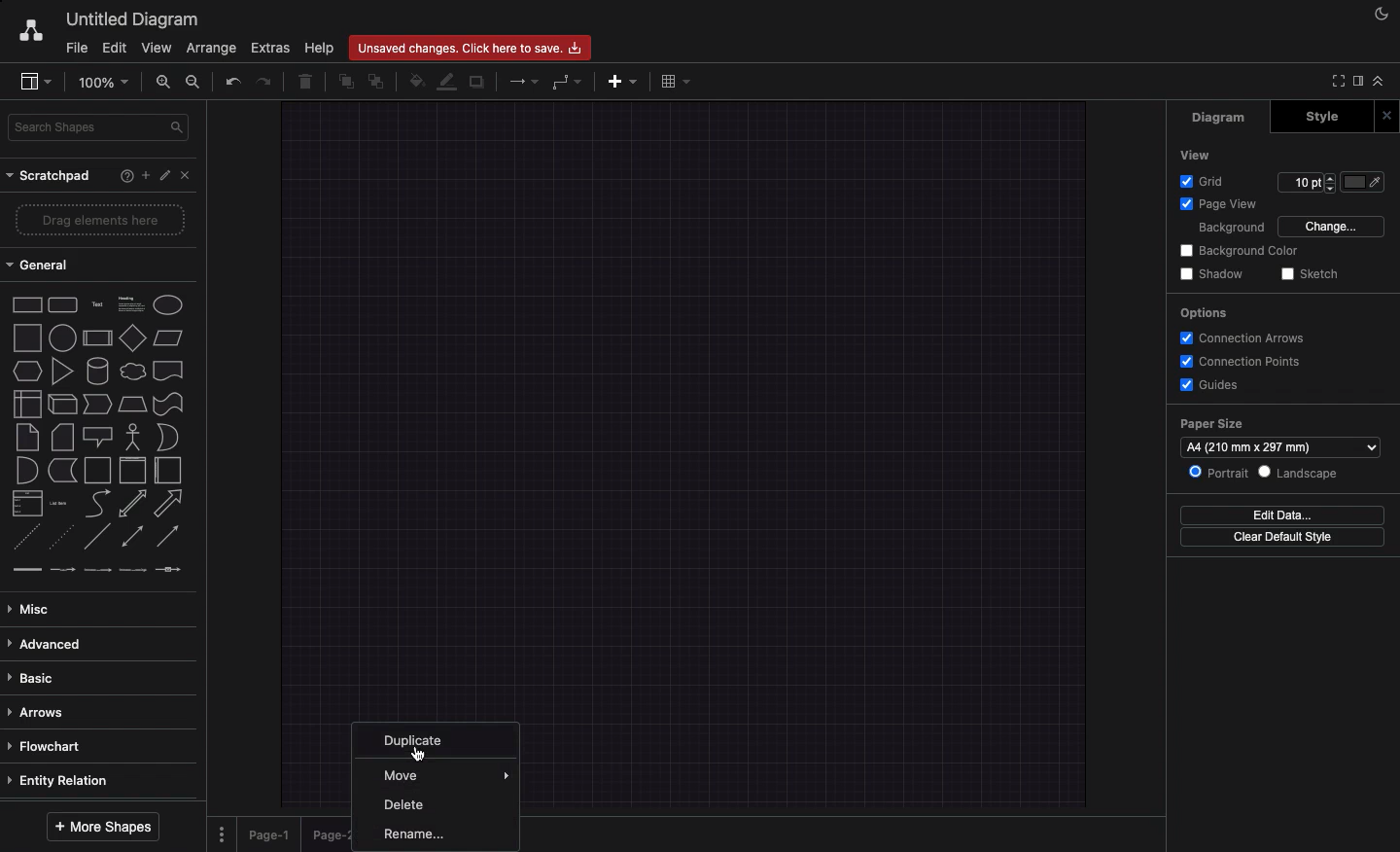 This screenshot has height=852, width=1400. What do you see at coordinates (348, 81) in the screenshot?
I see `To front` at bounding box center [348, 81].